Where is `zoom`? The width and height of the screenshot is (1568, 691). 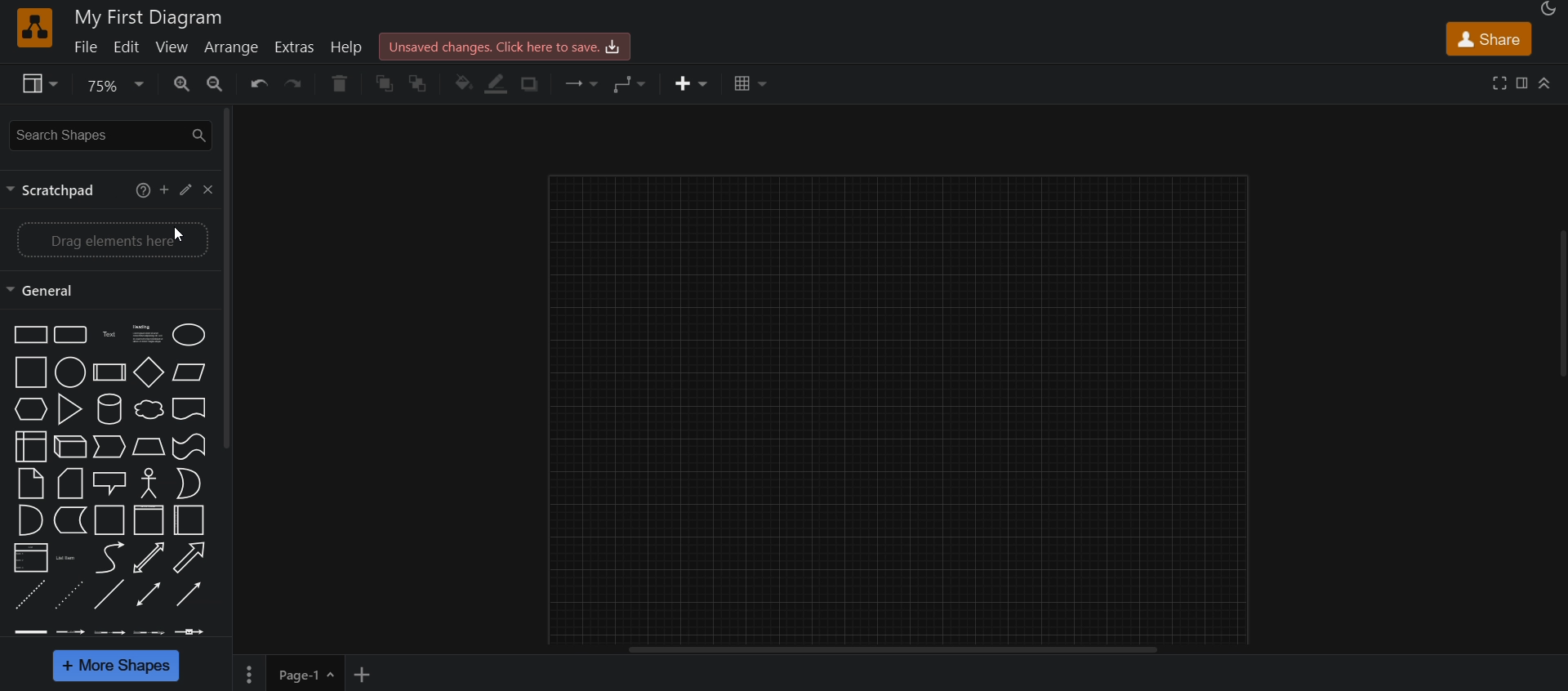
zoom is located at coordinates (113, 87).